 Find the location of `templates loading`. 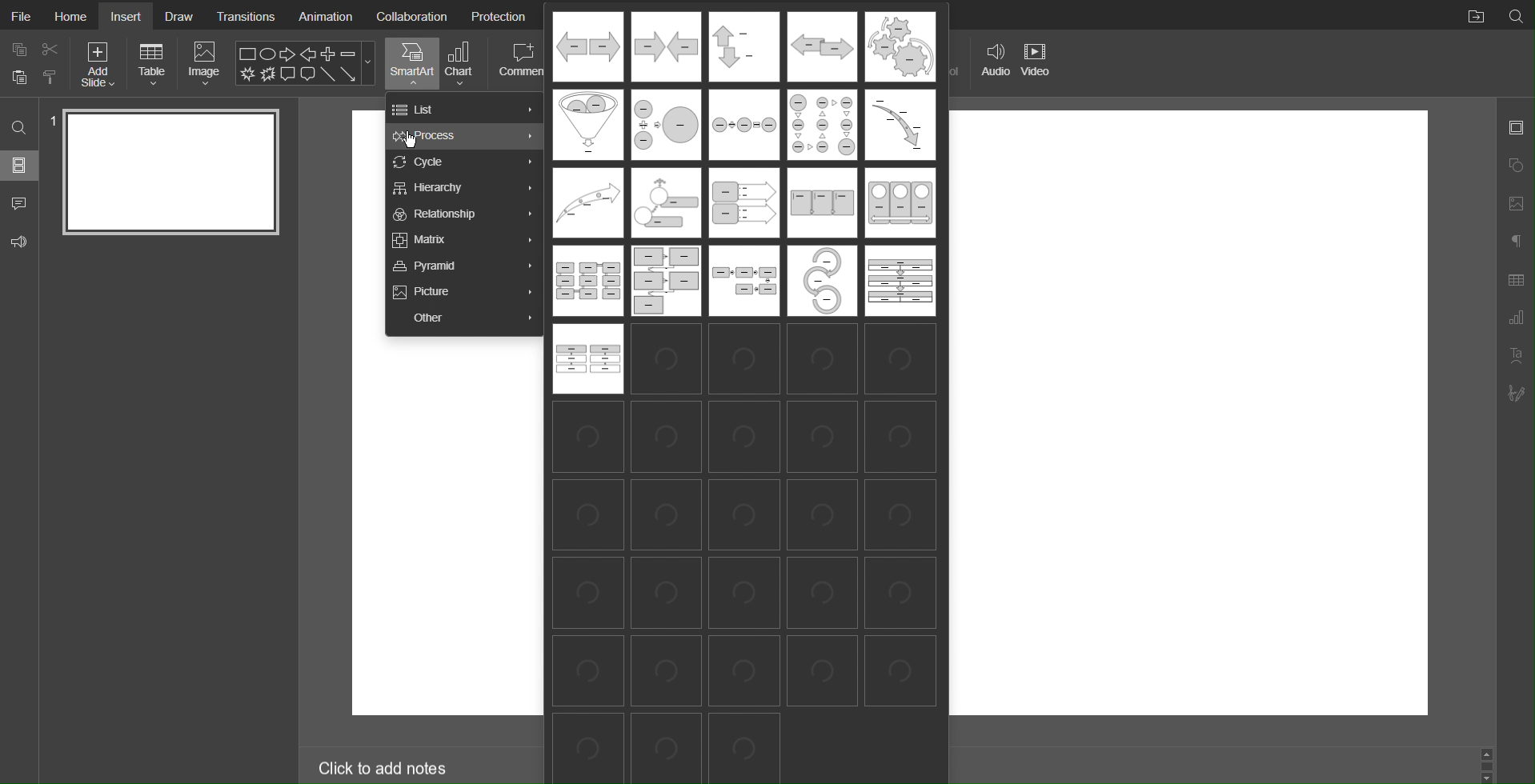

templates loading is located at coordinates (744, 554).